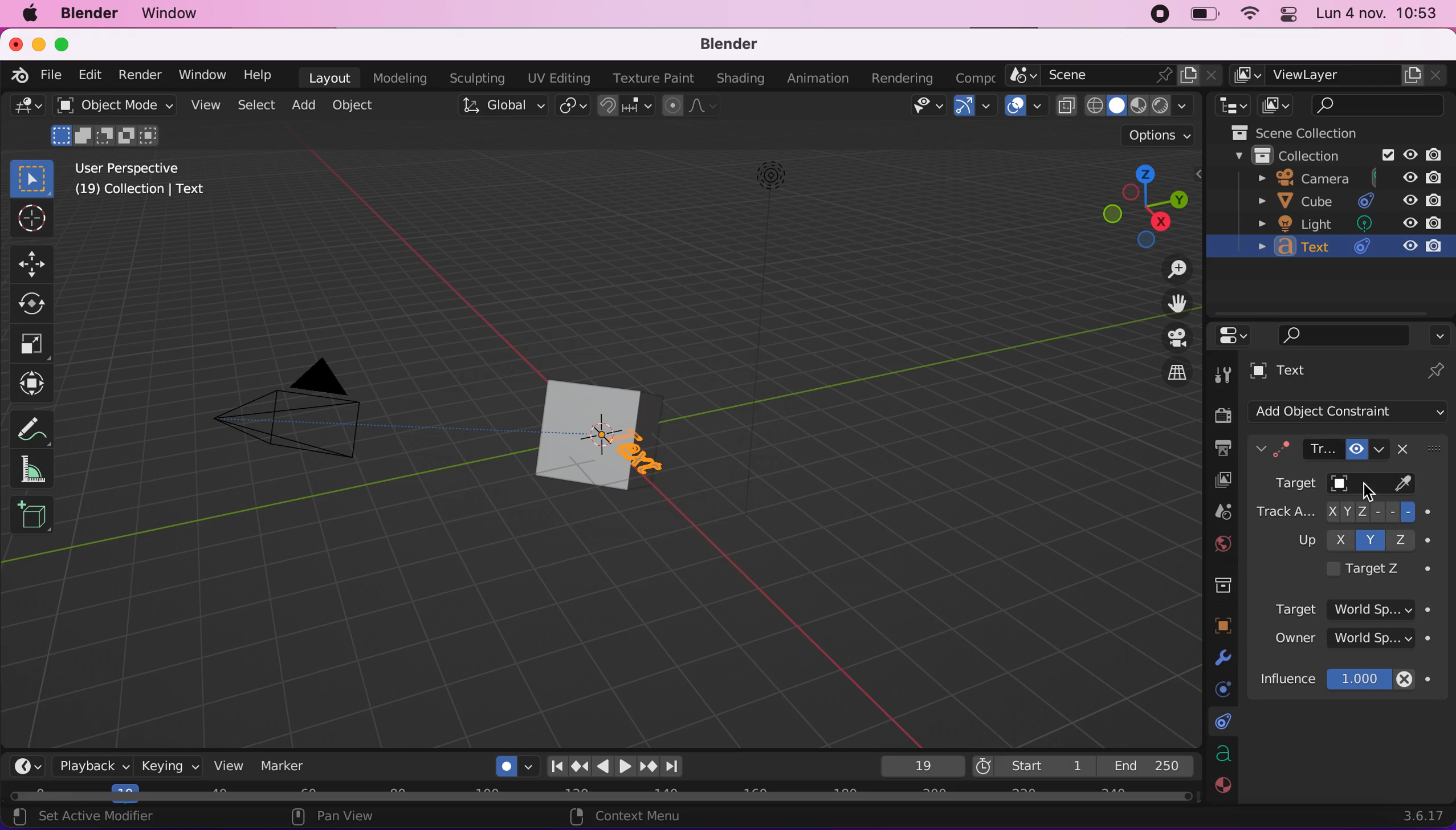  What do you see at coordinates (32, 306) in the screenshot?
I see `rotate` at bounding box center [32, 306].